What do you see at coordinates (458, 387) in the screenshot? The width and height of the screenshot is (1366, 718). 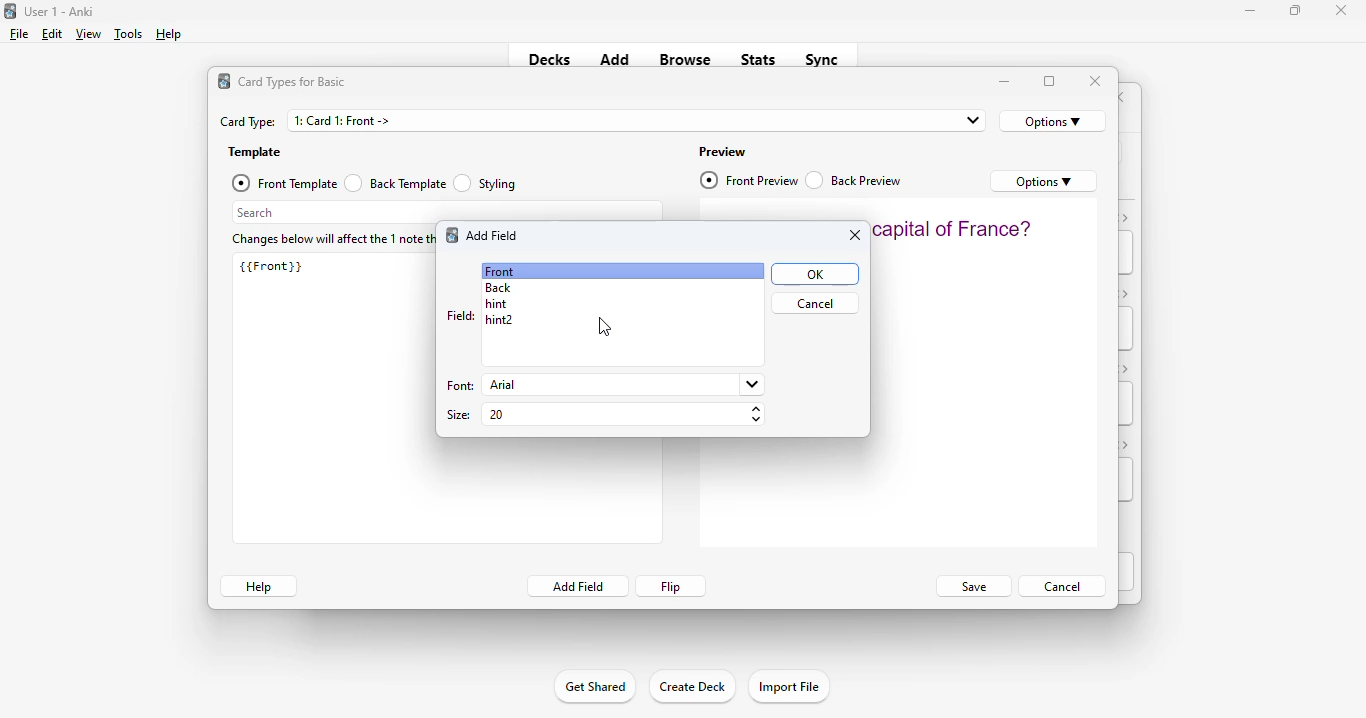 I see `font` at bounding box center [458, 387].